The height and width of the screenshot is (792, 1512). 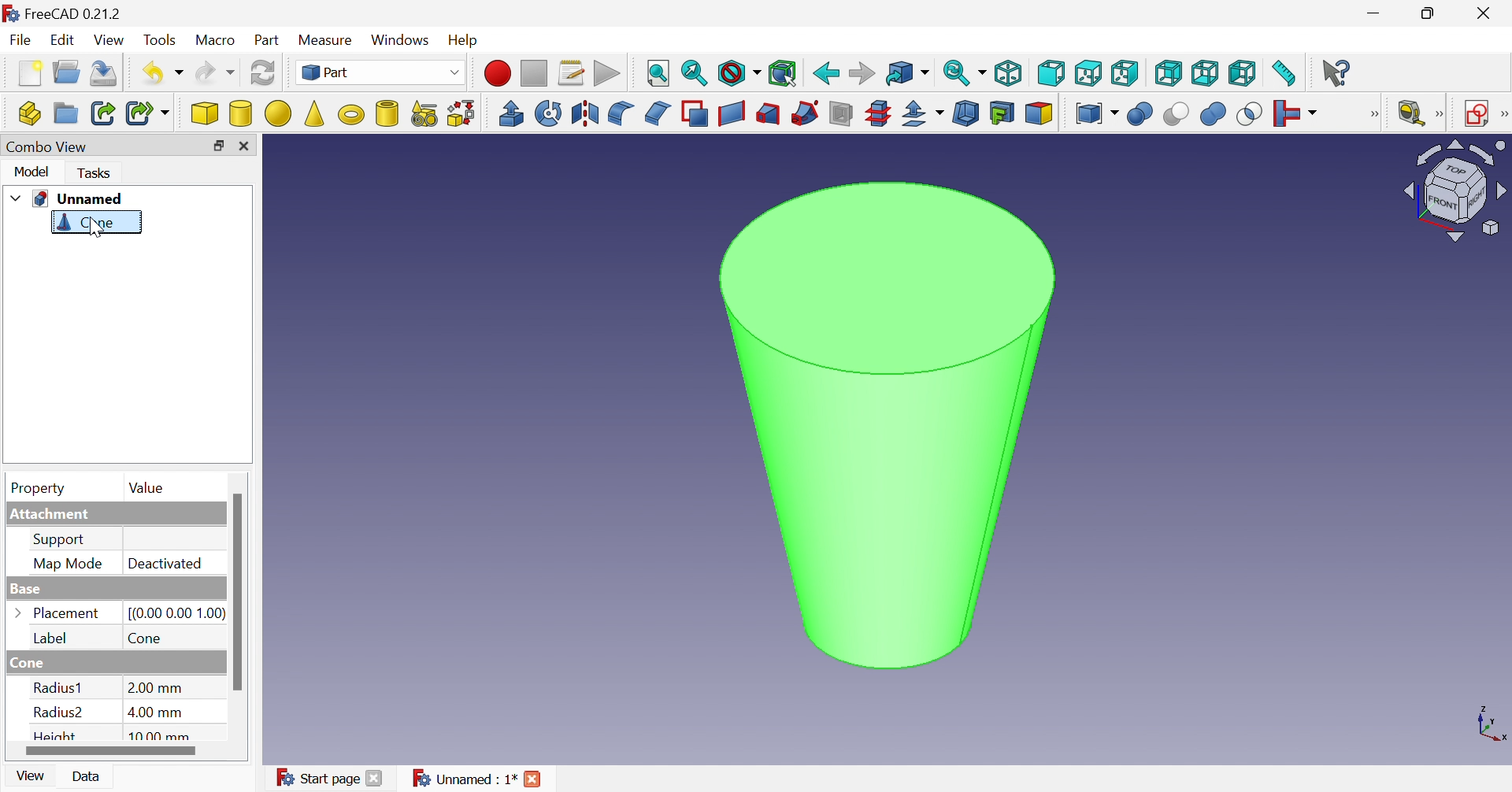 What do you see at coordinates (68, 613) in the screenshot?
I see `Palcement` at bounding box center [68, 613].